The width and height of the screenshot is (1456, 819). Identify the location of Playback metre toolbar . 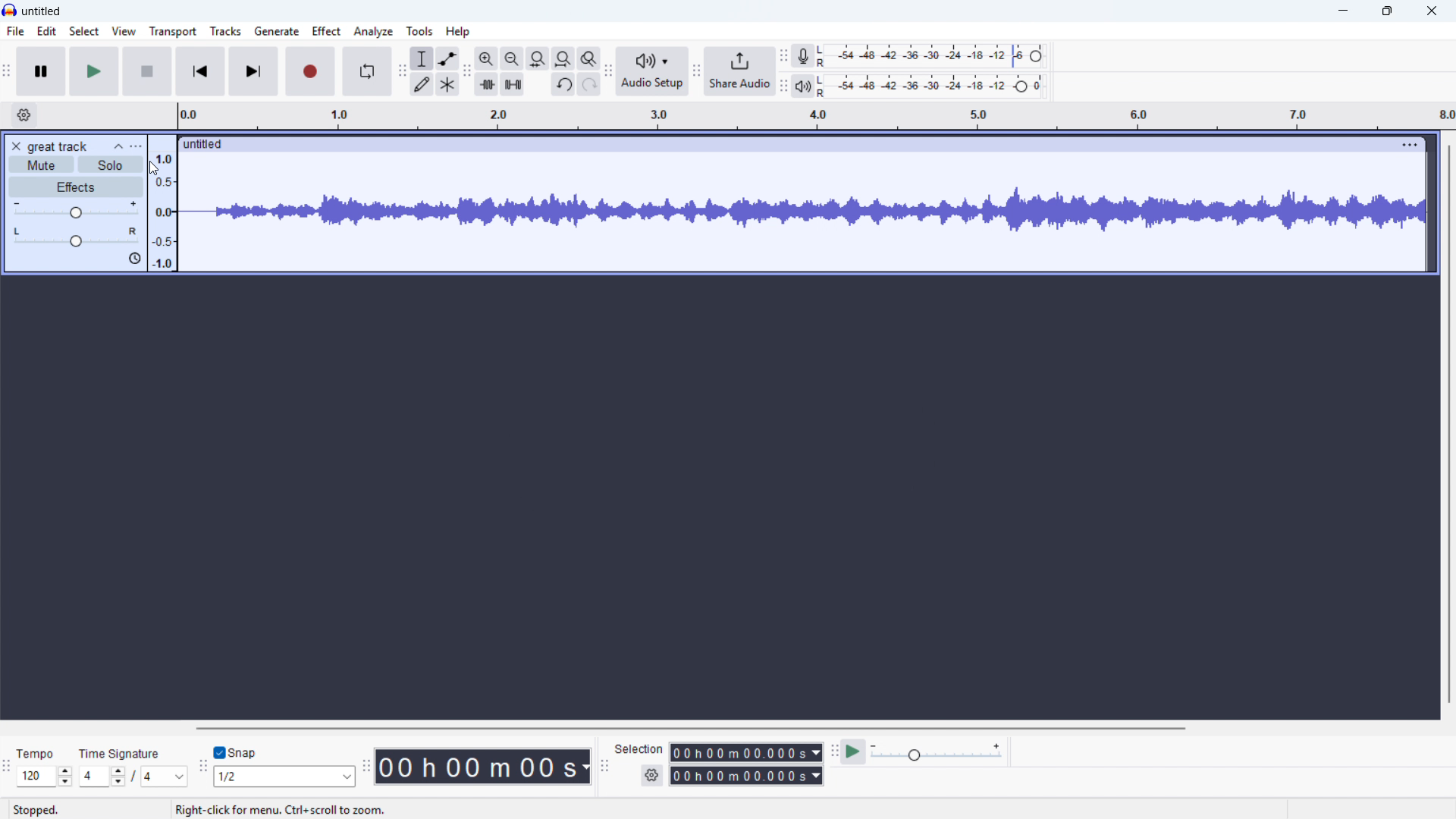
(784, 87).